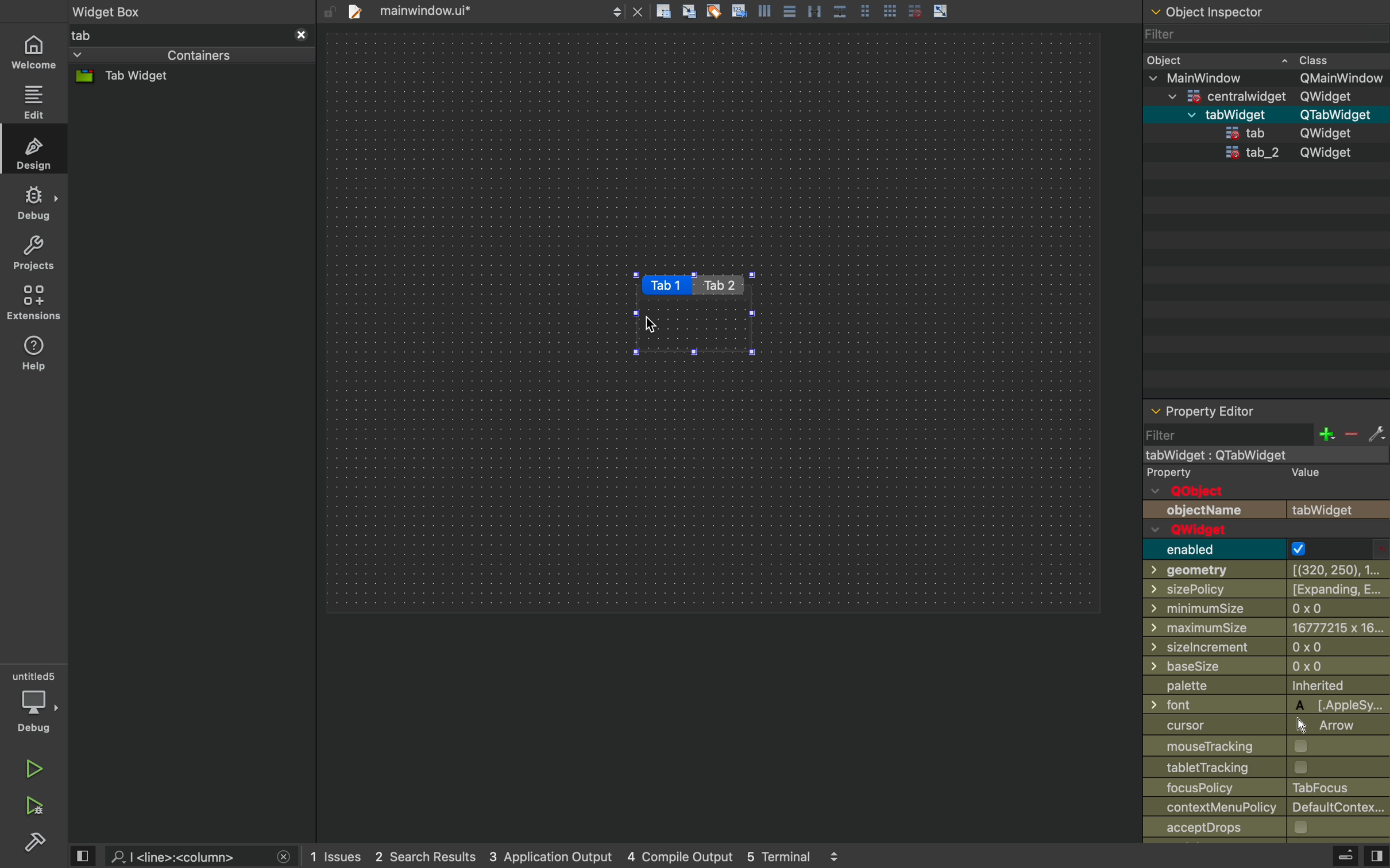 The width and height of the screenshot is (1390, 868). I want to click on extrude, so click(1346, 858).